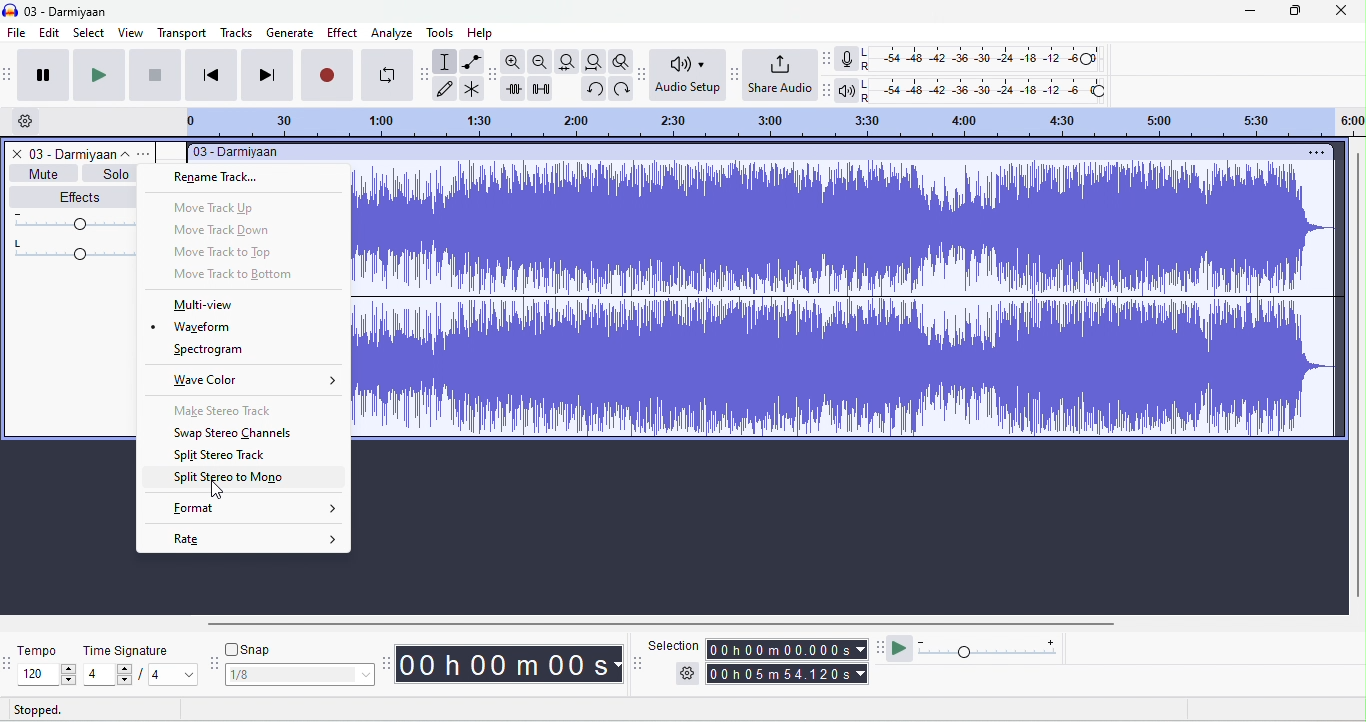 The image size is (1366, 722). I want to click on title, so click(58, 10).